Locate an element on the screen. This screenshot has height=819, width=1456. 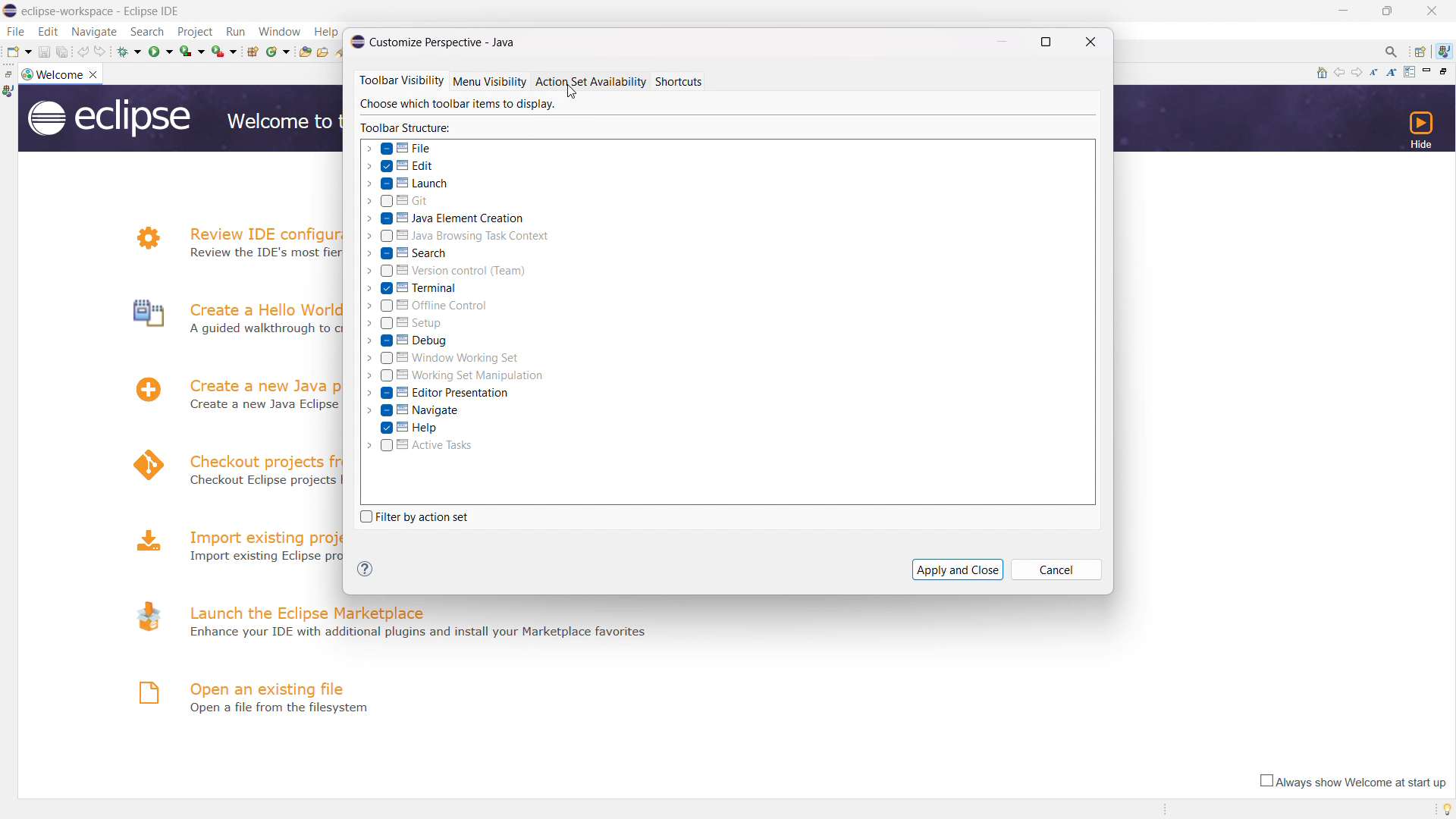
search is located at coordinates (406, 253).